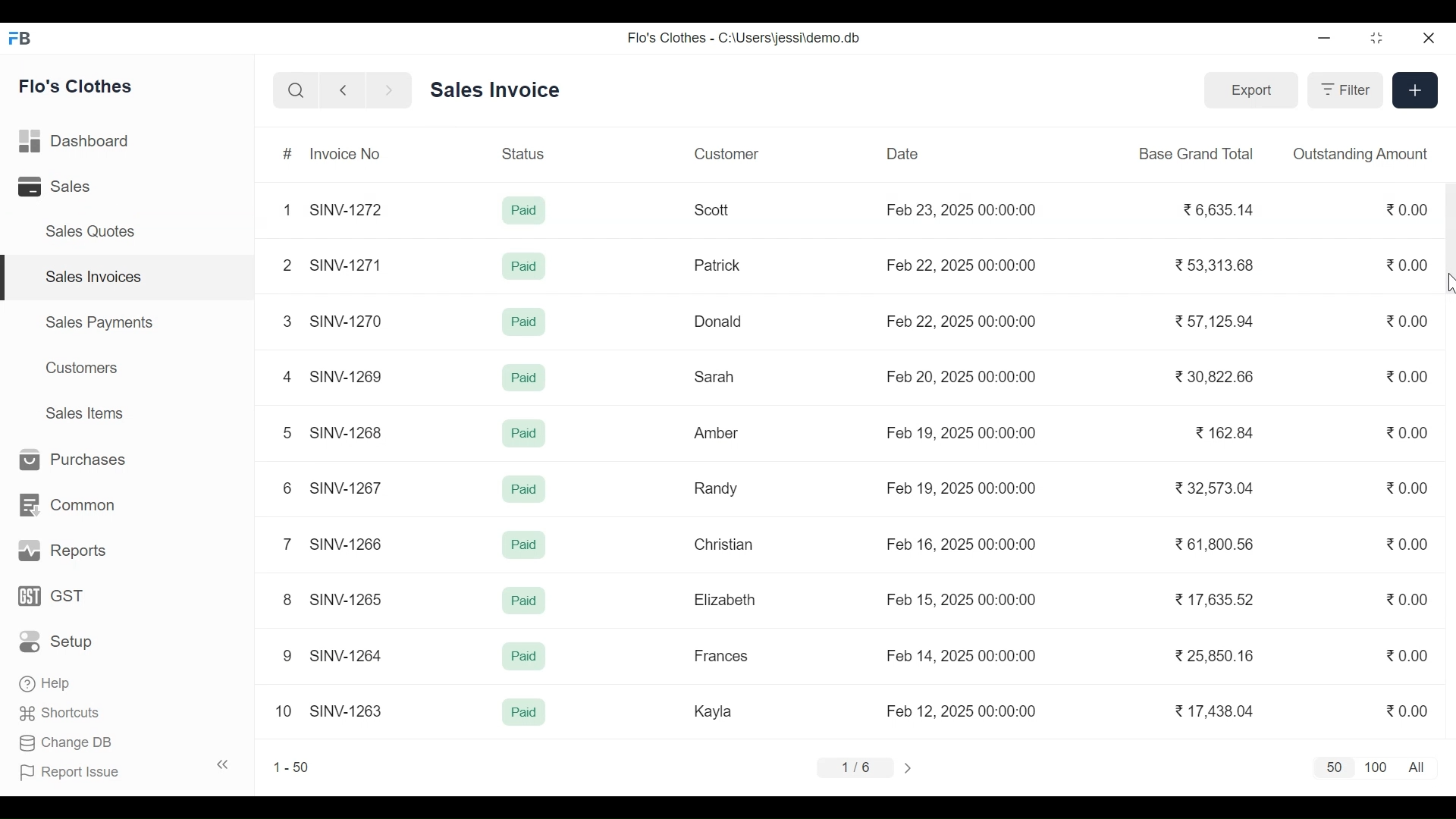 The image size is (1456, 819). I want to click on 61,800.56, so click(1213, 544).